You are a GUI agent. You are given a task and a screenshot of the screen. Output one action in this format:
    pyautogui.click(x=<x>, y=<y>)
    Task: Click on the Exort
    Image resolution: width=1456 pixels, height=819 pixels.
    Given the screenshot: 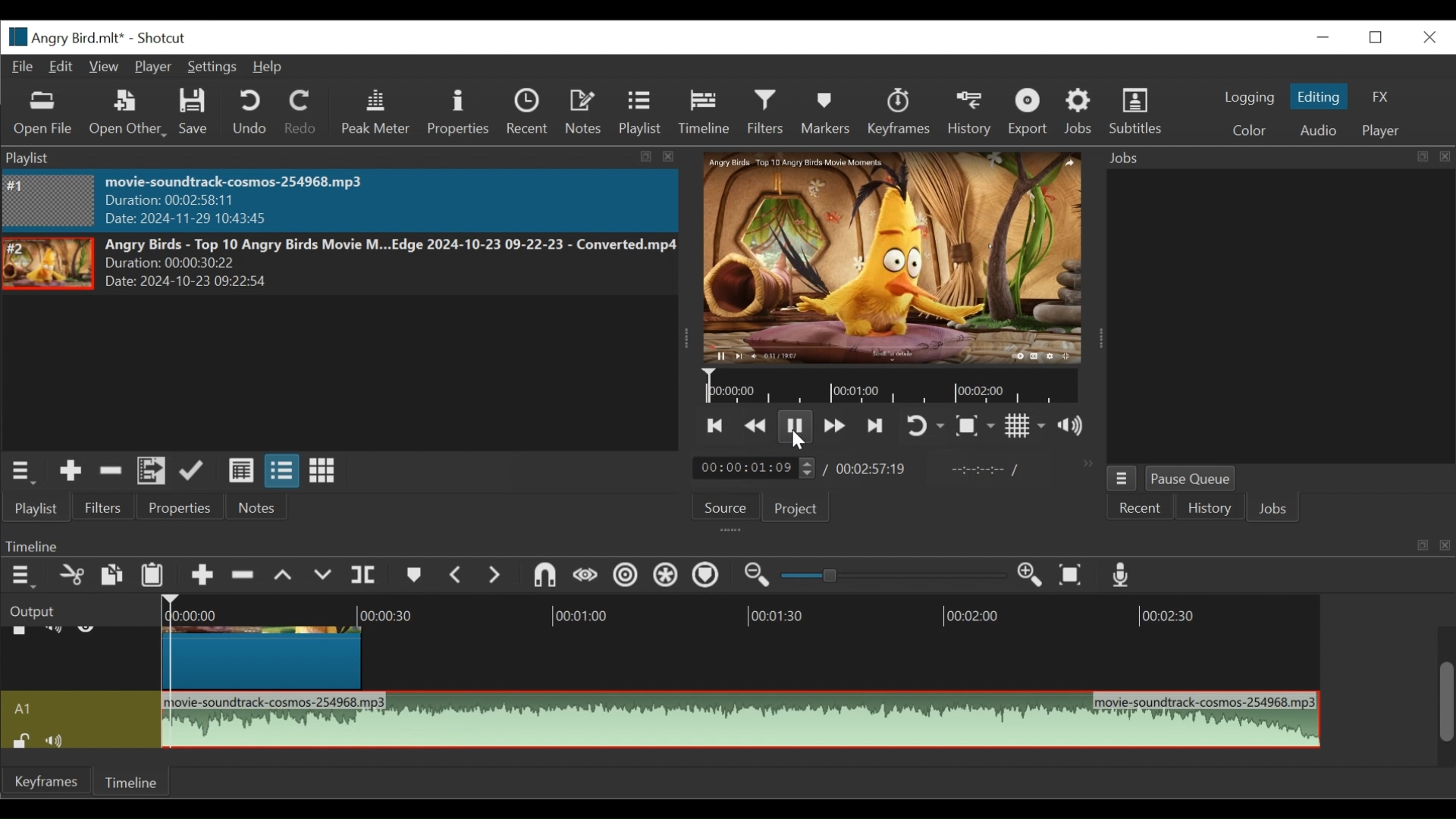 What is the action you would take?
    pyautogui.click(x=1030, y=113)
    